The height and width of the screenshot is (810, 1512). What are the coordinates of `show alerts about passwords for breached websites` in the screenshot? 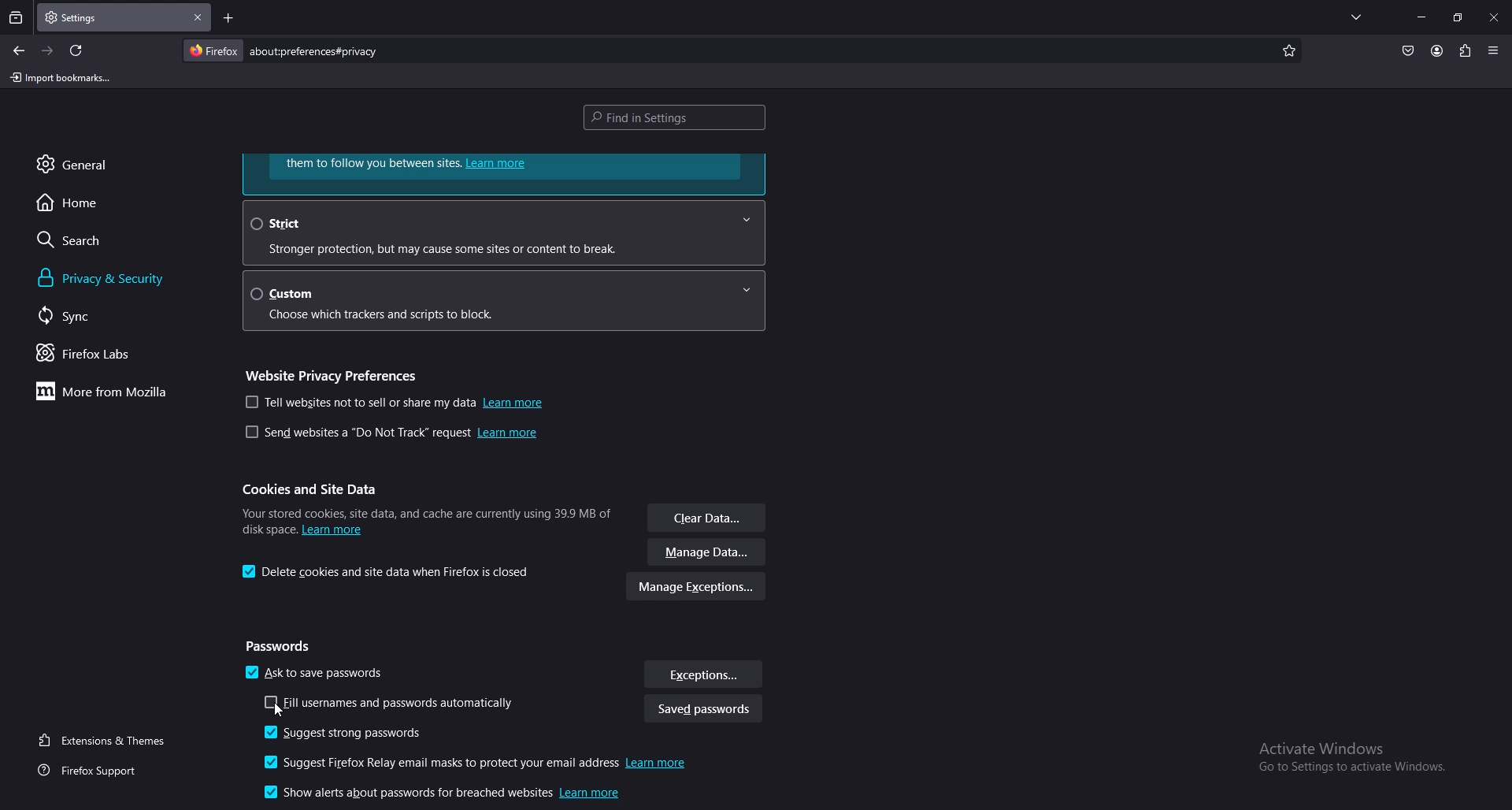 It's located at (446, 794).